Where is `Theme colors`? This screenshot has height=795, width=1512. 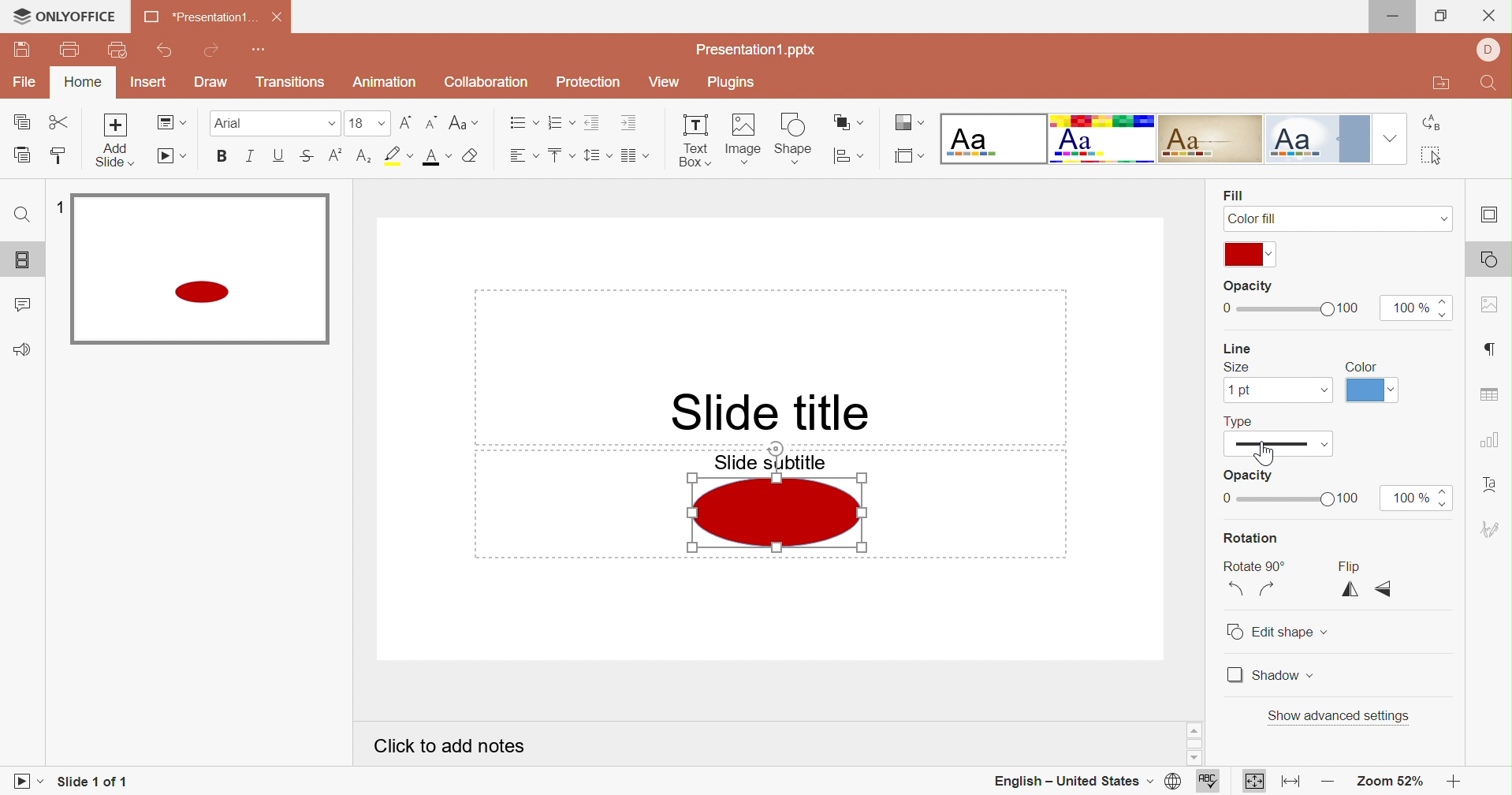
Theme colors is located at coordinates (1253, 254).